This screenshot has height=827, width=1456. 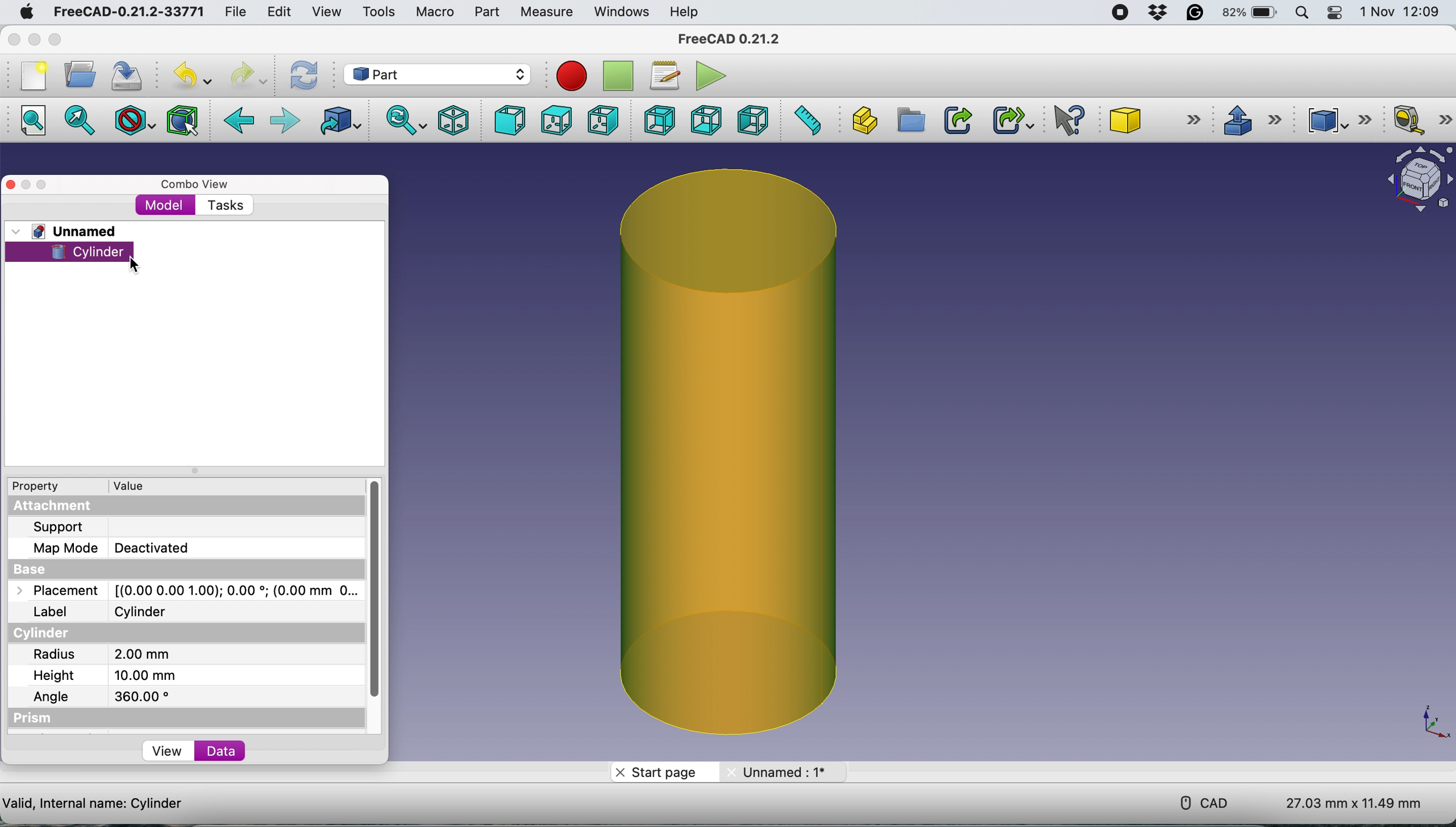 What do you see at coordinates (44, 187) in the screenshot?
I see `maximise` at bounding box center [44, 187].